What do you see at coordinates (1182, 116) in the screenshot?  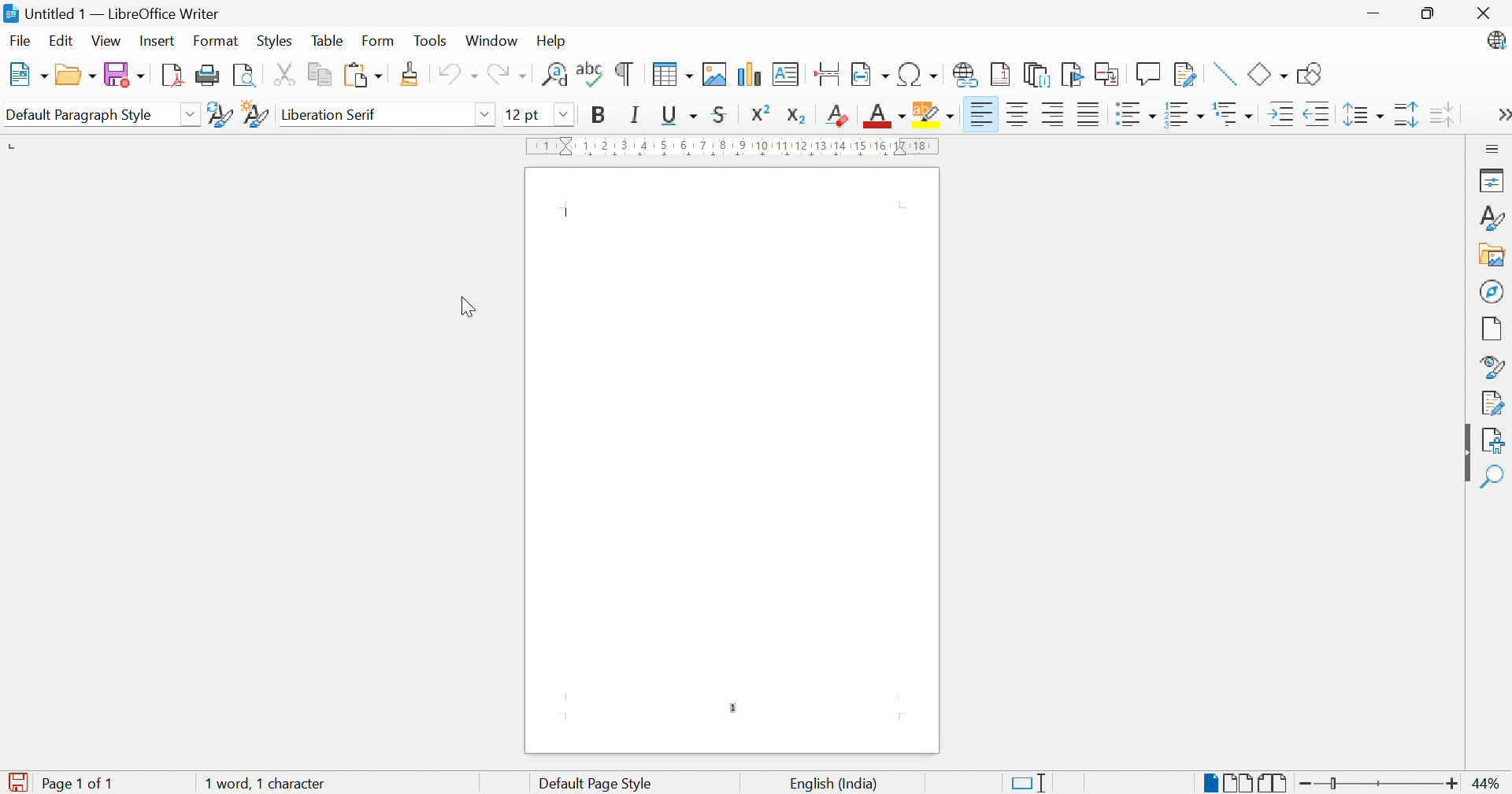 I see `Toggle ordered list` at bounding box center [1182, 116].